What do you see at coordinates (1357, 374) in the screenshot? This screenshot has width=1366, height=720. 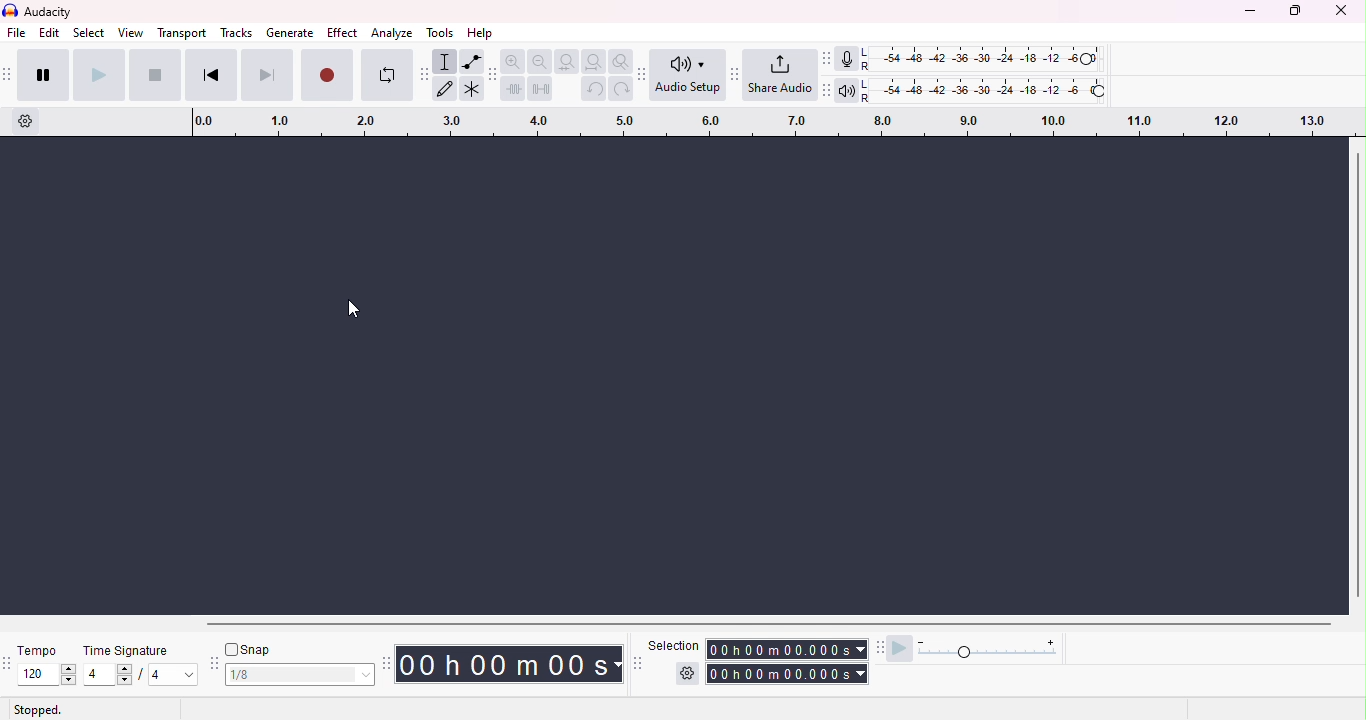 I see `vertical scroll bar` at bounding box center [1357, 374].